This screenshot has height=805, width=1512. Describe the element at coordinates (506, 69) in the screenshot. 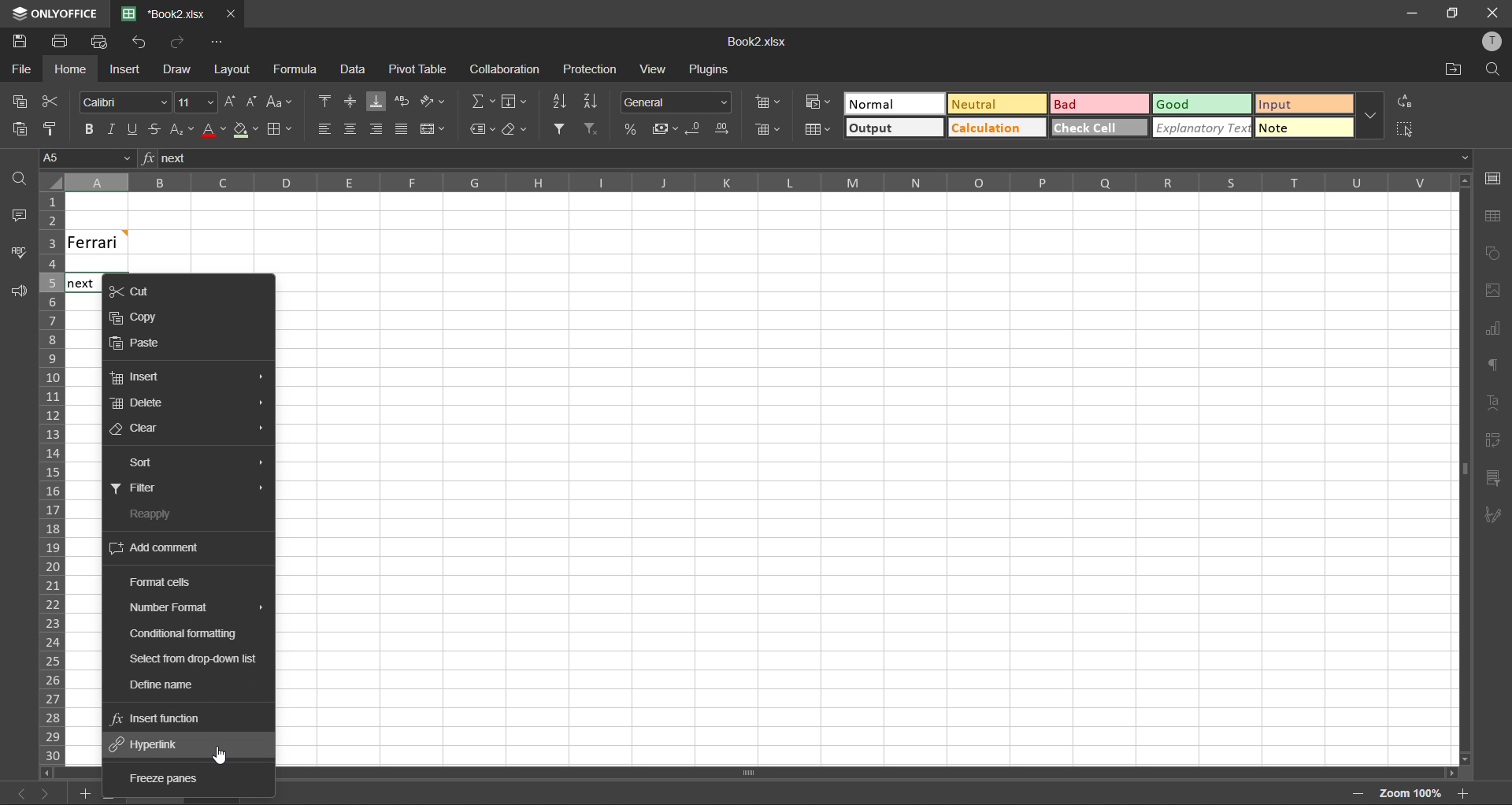

I see `collaboration` at that location.